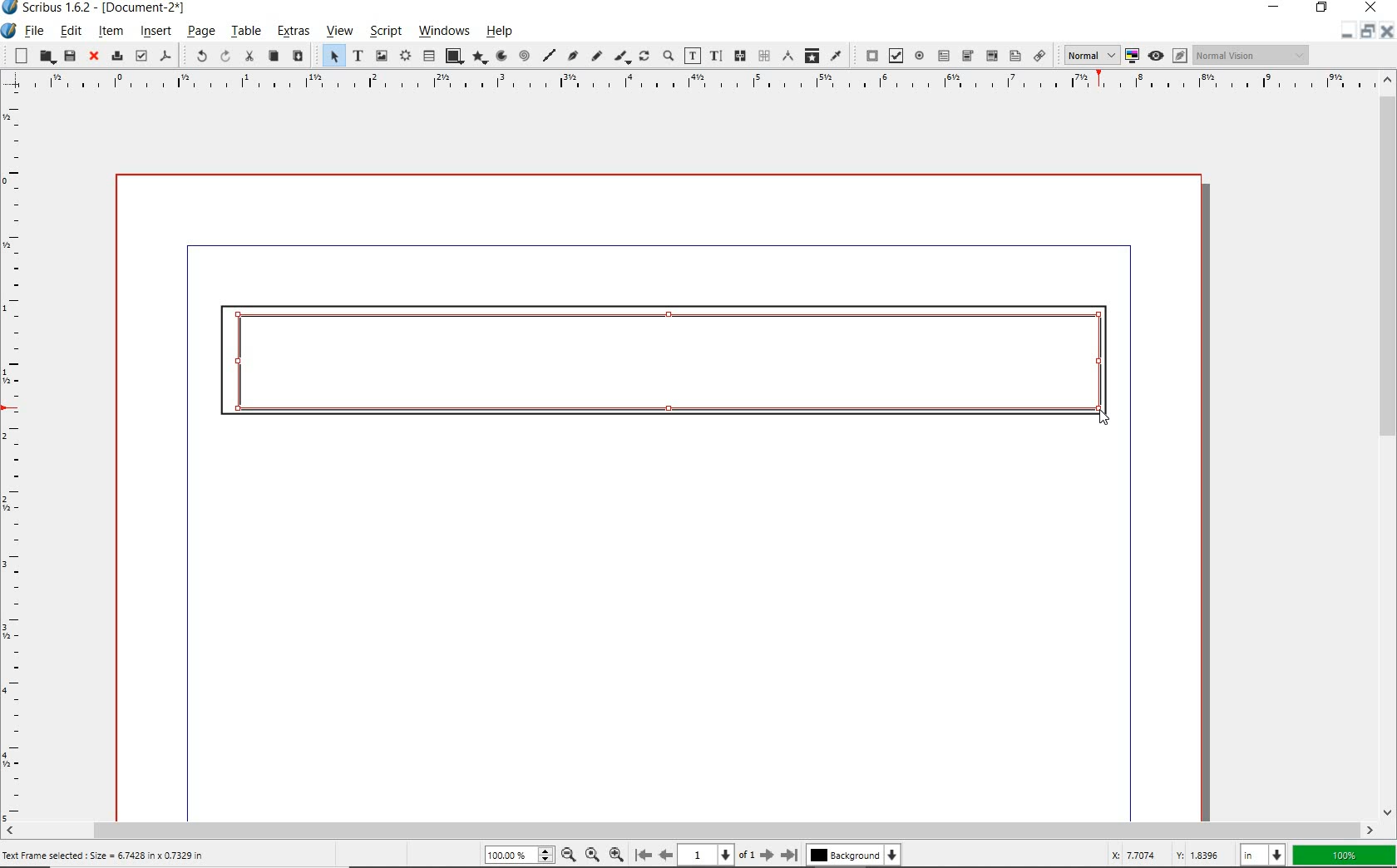 The width and height of the screenshot is (1397, 868). Describe the element at coordinates (893, 55) in the screenshot. I see `pdf check box` at that location.